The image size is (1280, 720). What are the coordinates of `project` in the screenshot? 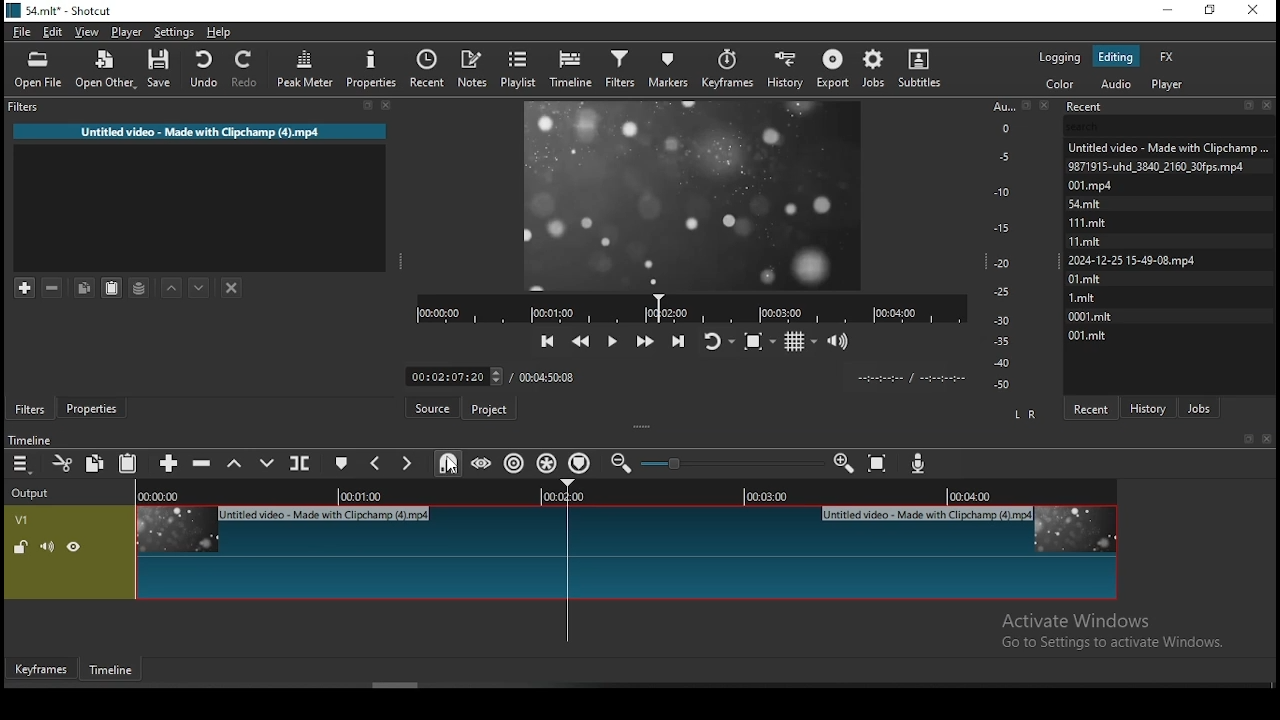 It's located at (487, 409).